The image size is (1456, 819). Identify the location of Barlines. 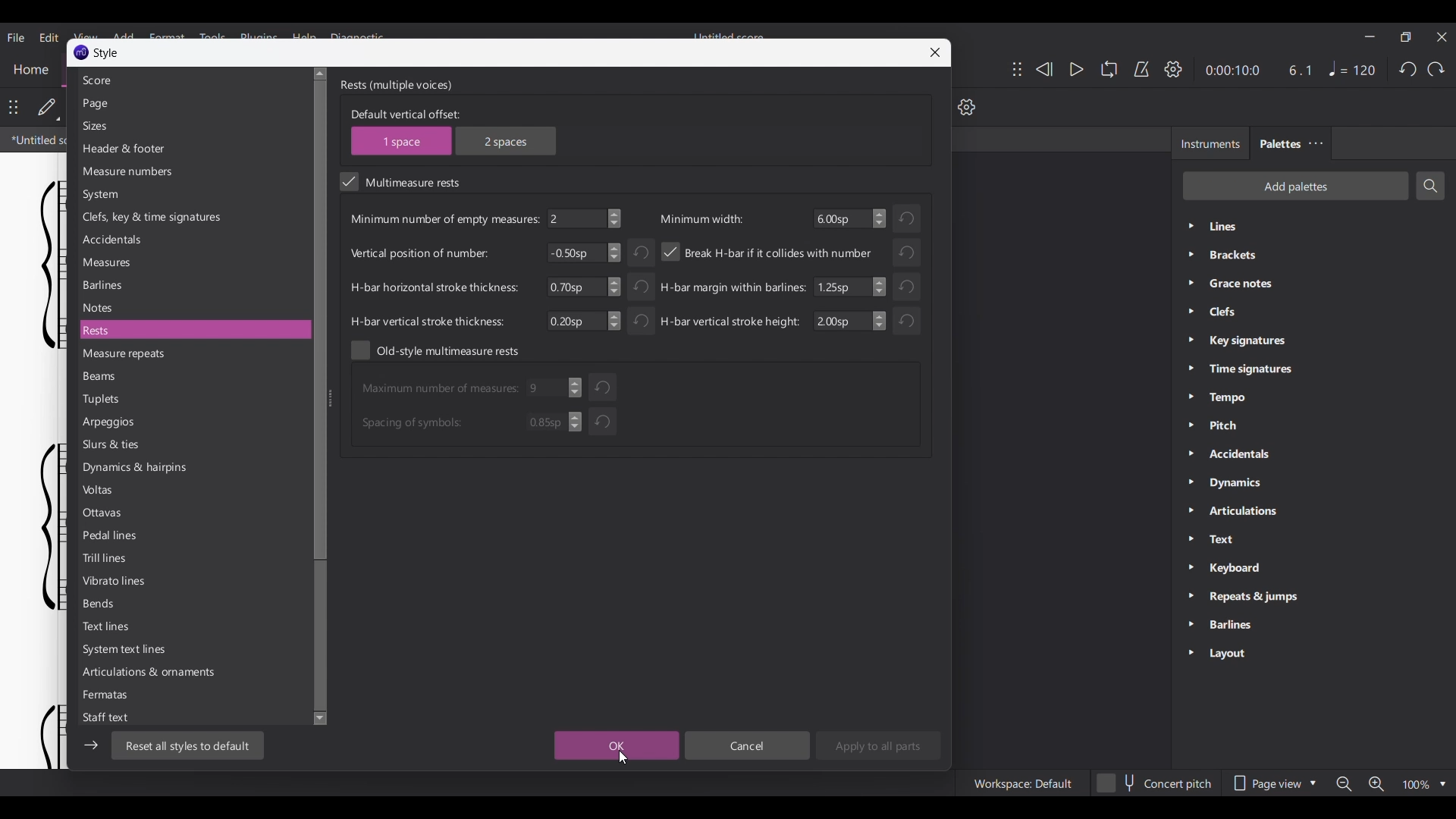
(193, 285).